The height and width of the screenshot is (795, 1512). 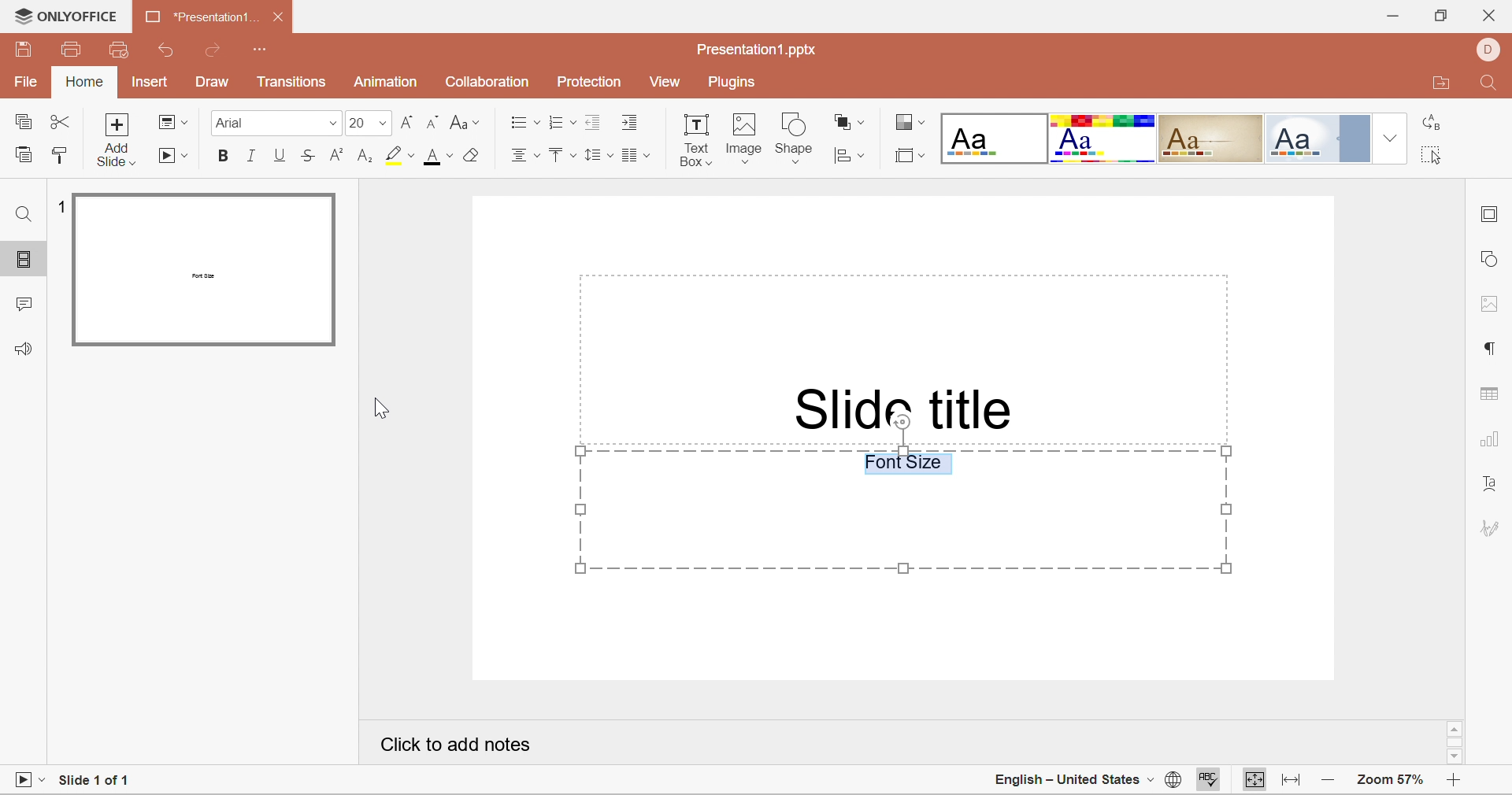 I want to click on Close, so click(x=282, y=20).